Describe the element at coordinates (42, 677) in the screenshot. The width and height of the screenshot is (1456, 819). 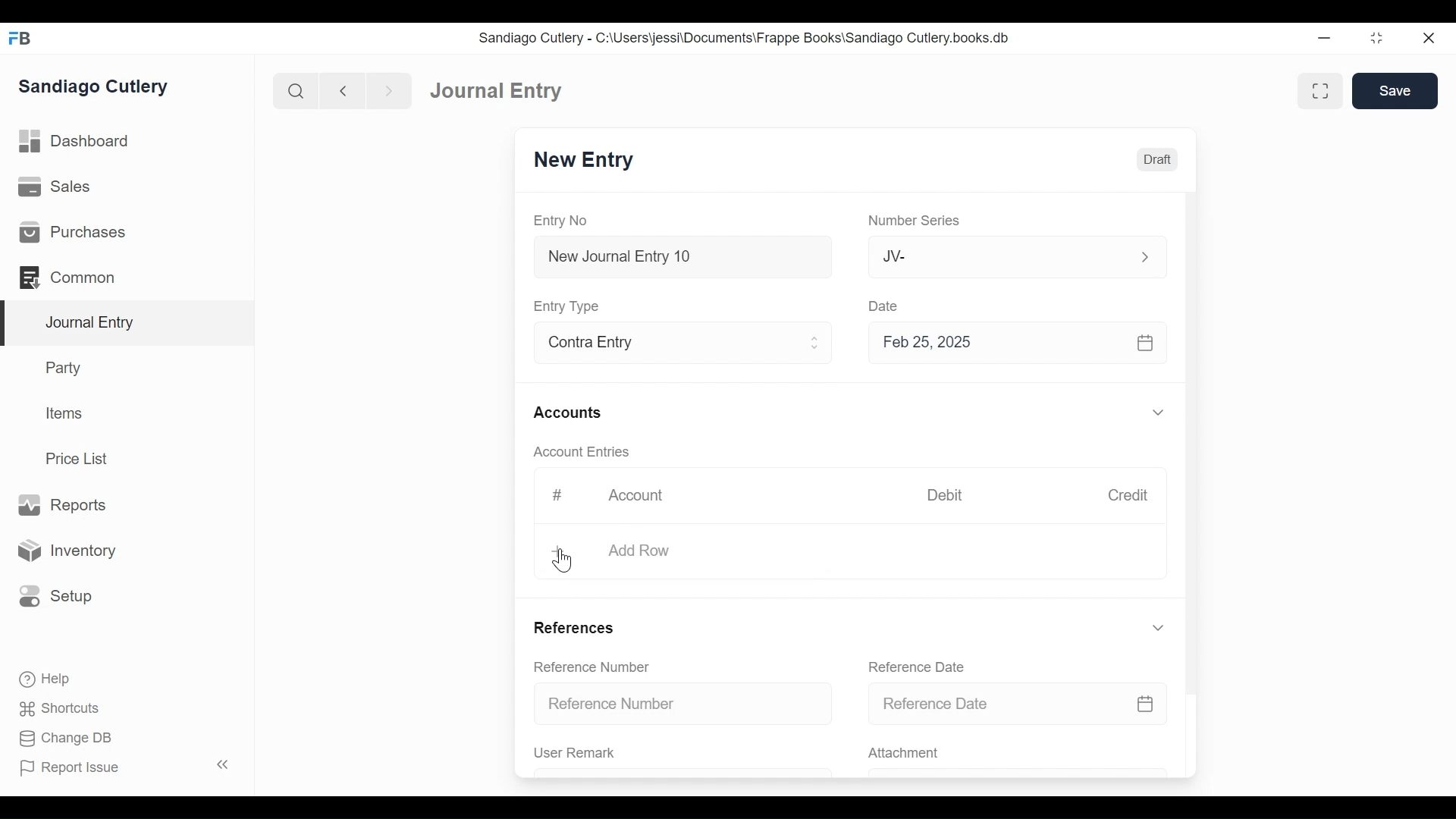
I see `Help` at that location.